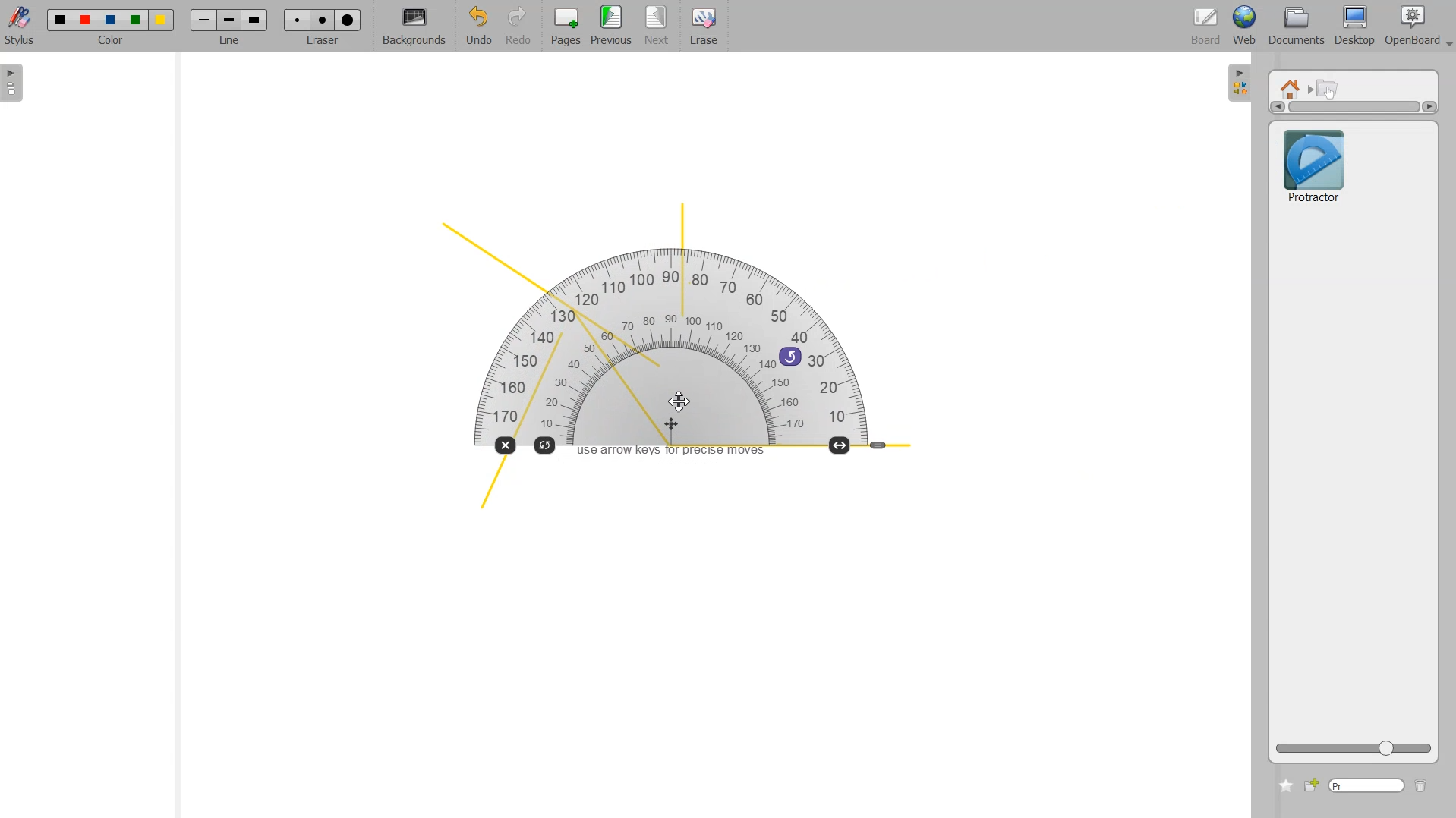  I want to click on Desktop, so click(1354, 27).